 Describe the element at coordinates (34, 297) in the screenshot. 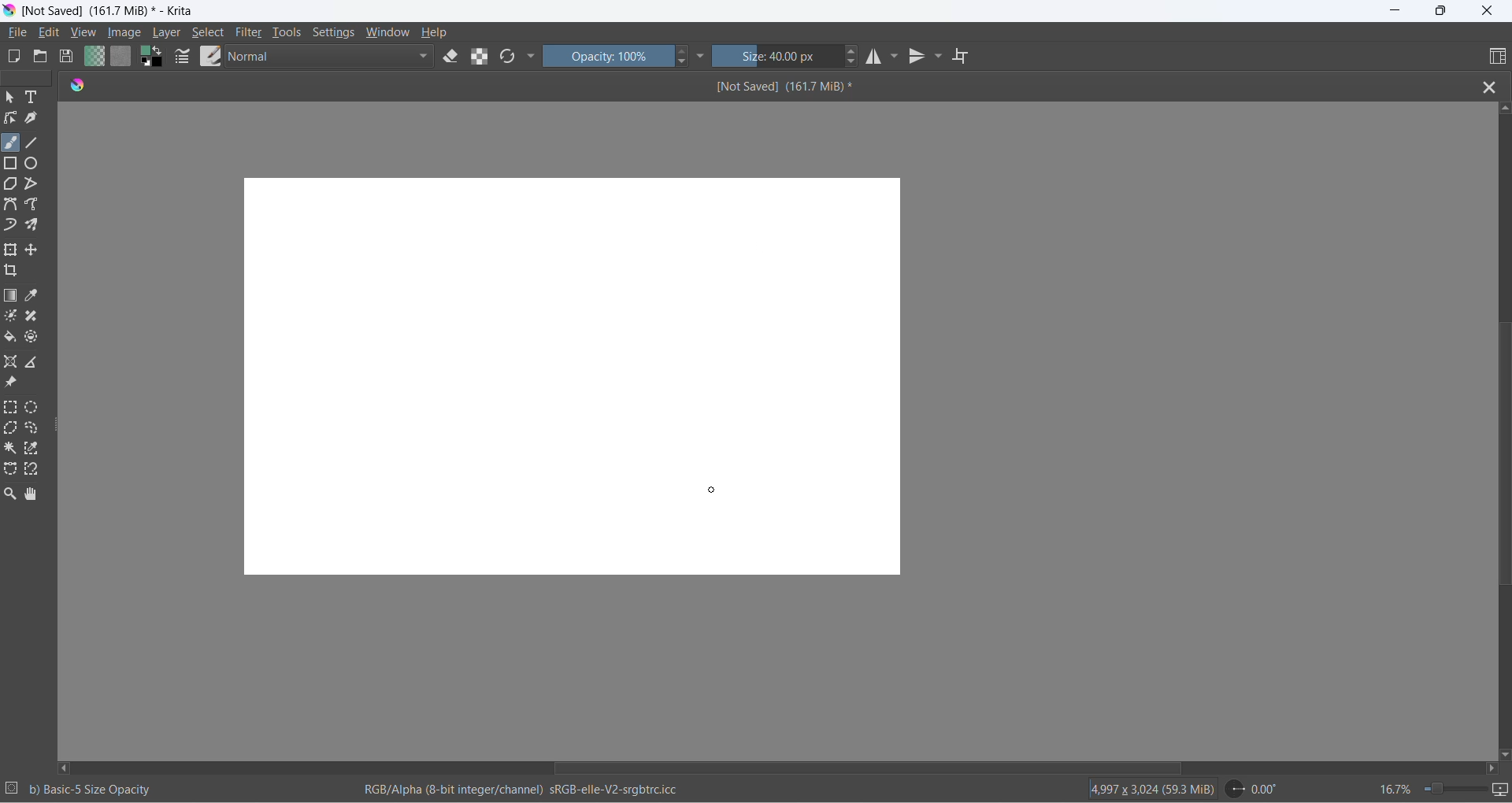

I see `sample a color` at that location.